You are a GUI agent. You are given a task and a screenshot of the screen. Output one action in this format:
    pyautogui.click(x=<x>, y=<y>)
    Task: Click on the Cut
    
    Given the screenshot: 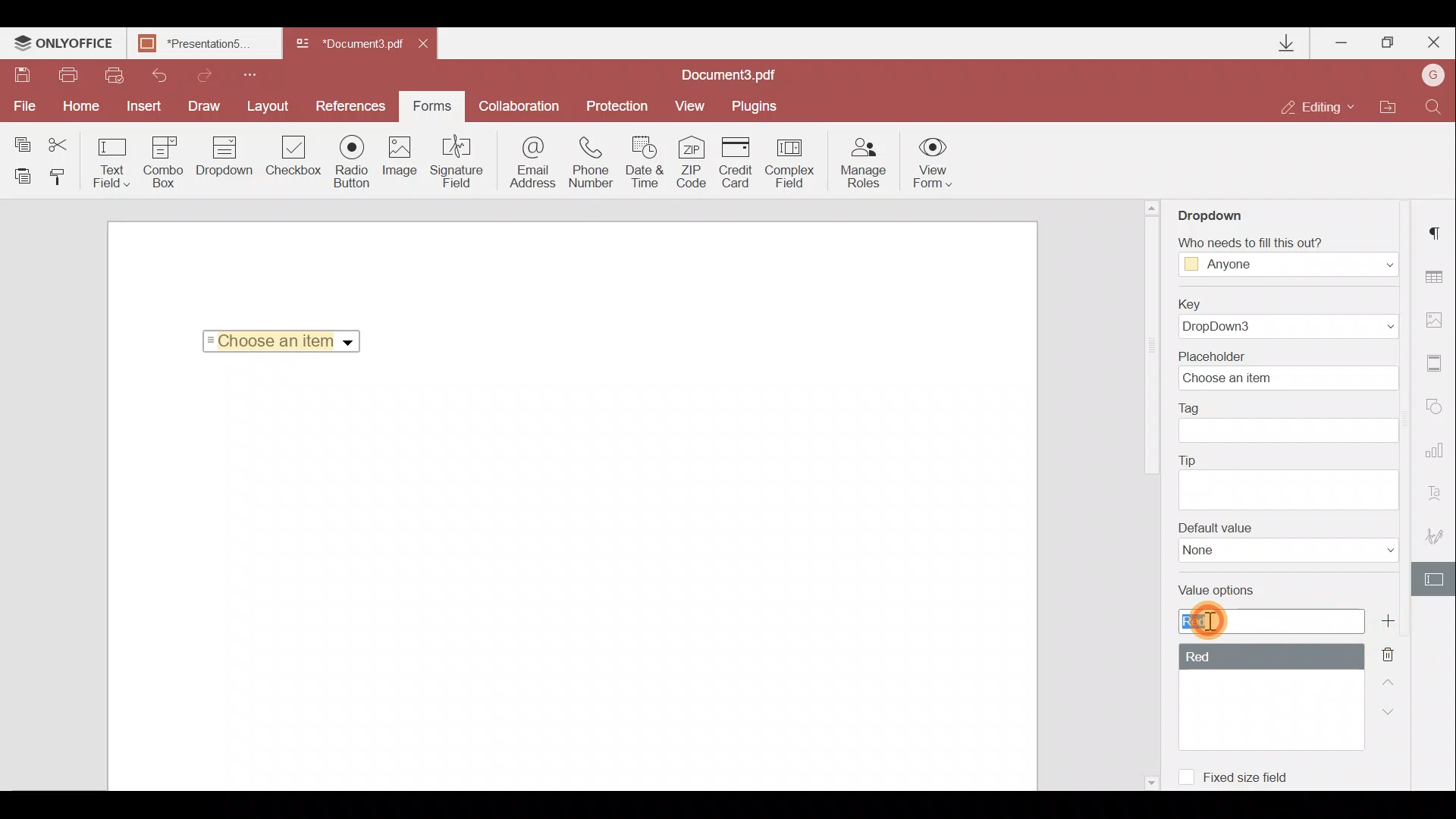 What is the action you would take?
    pyautogui.click(x=60, y=140)
    